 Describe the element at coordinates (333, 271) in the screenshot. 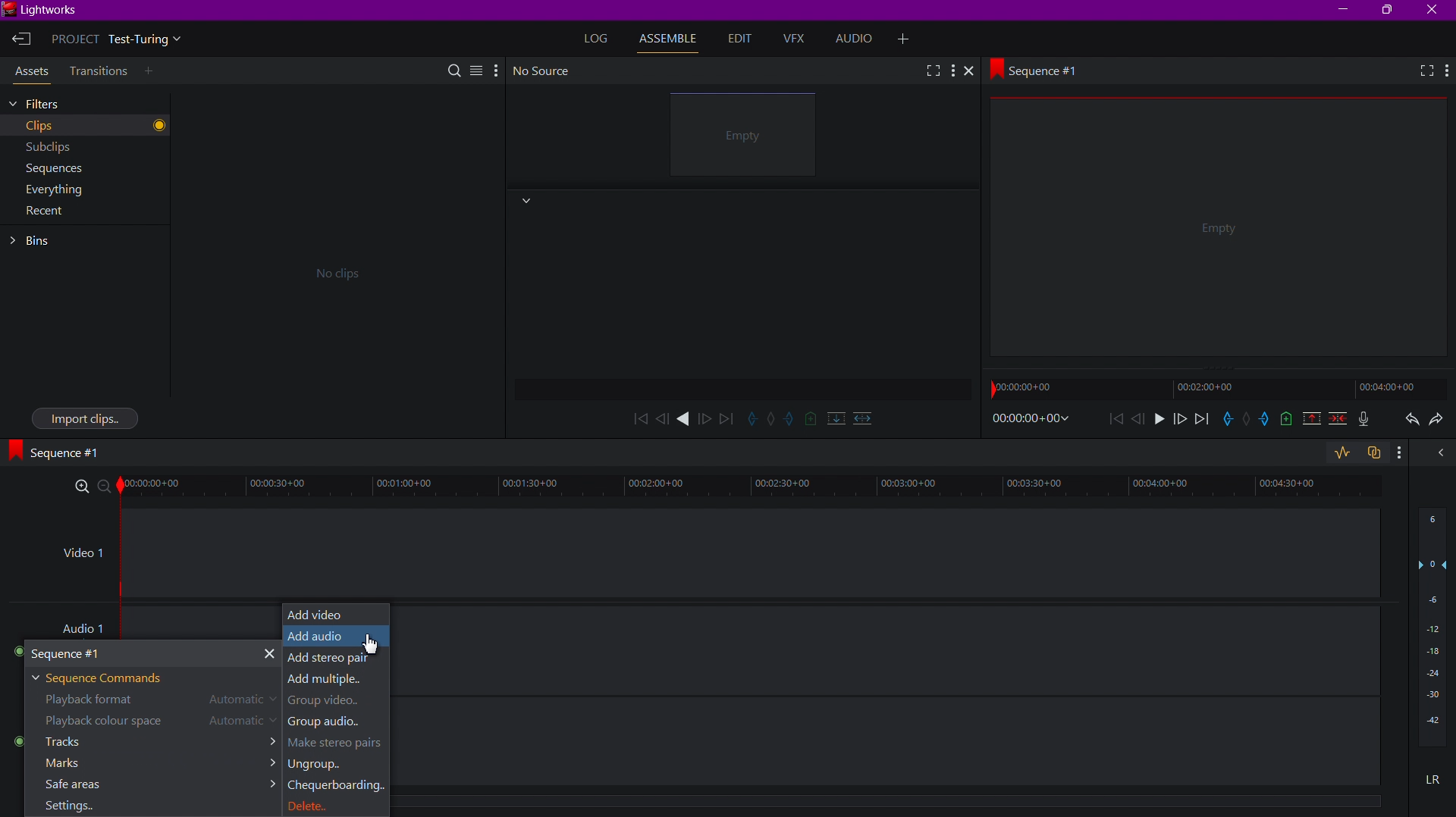

I see `No clips` at that location.